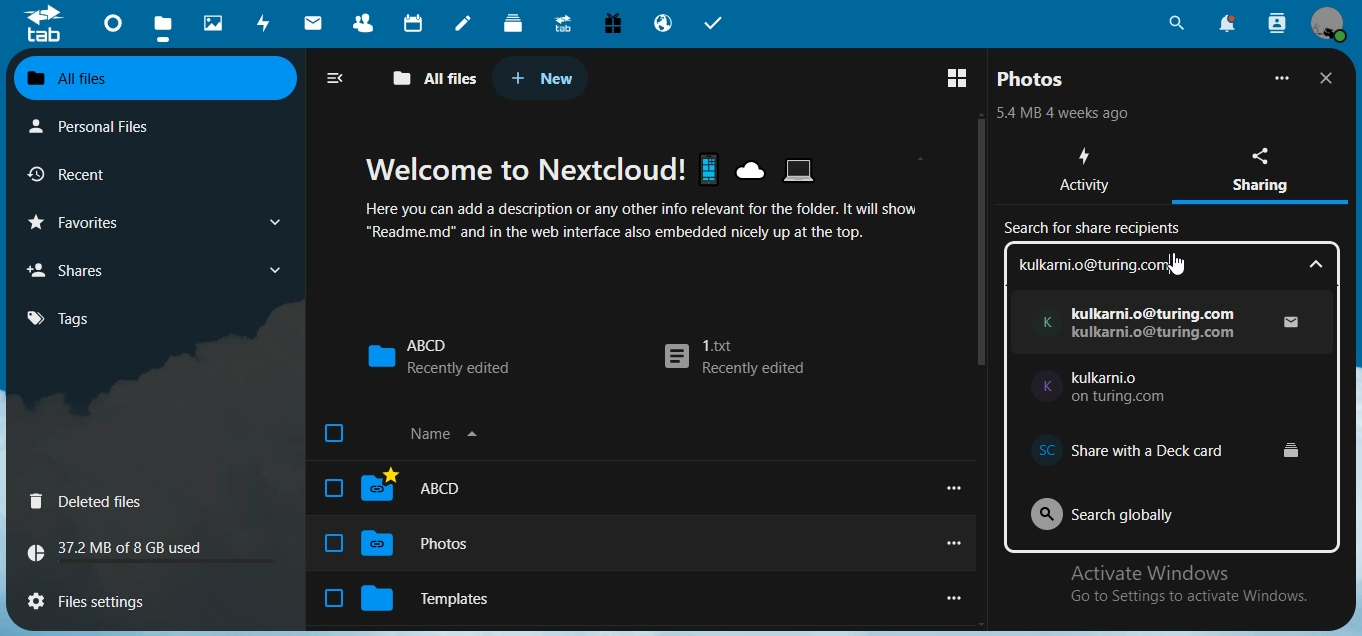 The width and height of the screenshot is (1362, 636). Describe the element at coordinates (154, 269) in the screenshot. I see `shares` at that location.